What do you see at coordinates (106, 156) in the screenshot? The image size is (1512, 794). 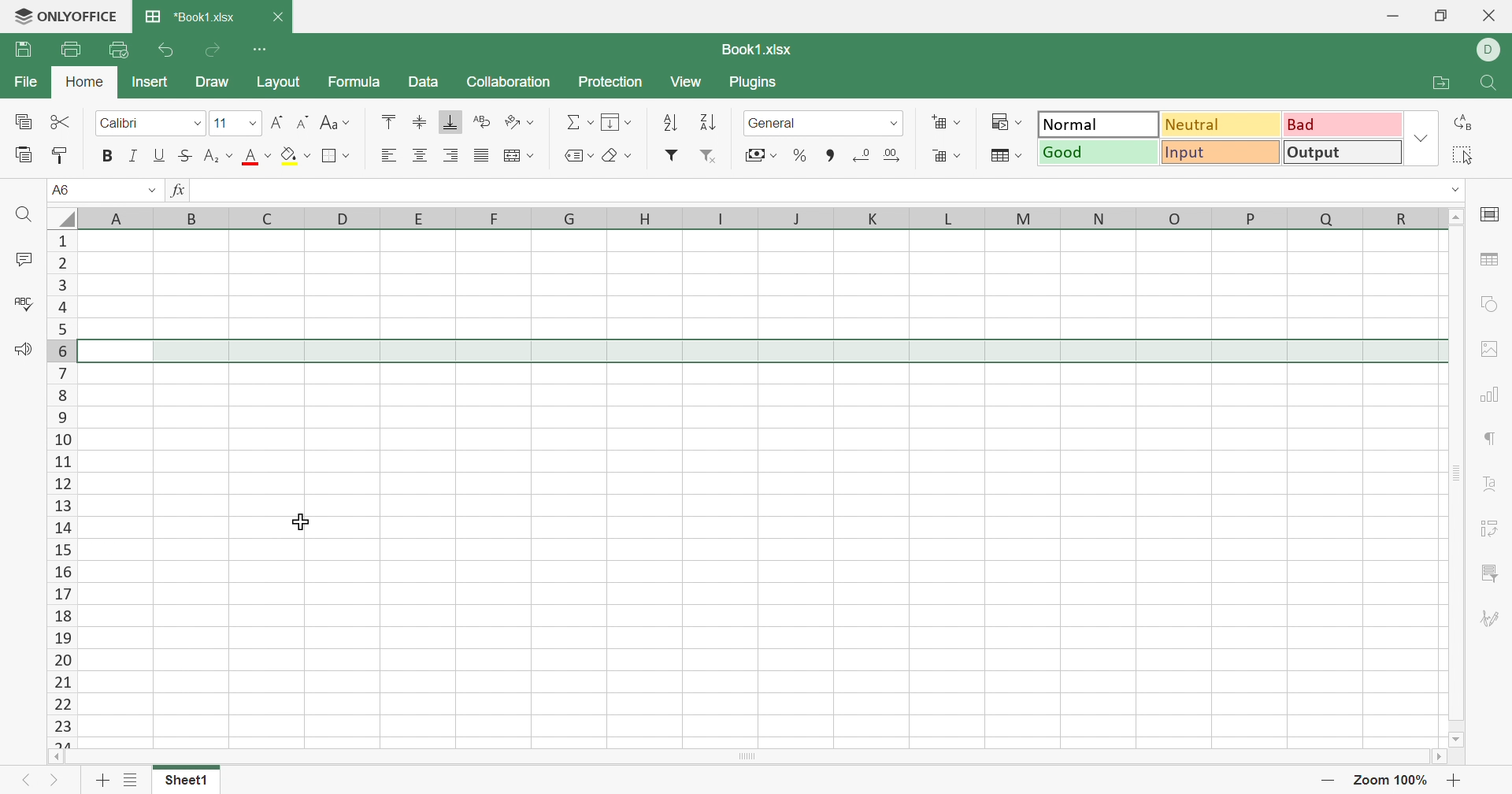 I see `Bold` at bounding box center [106, 156].